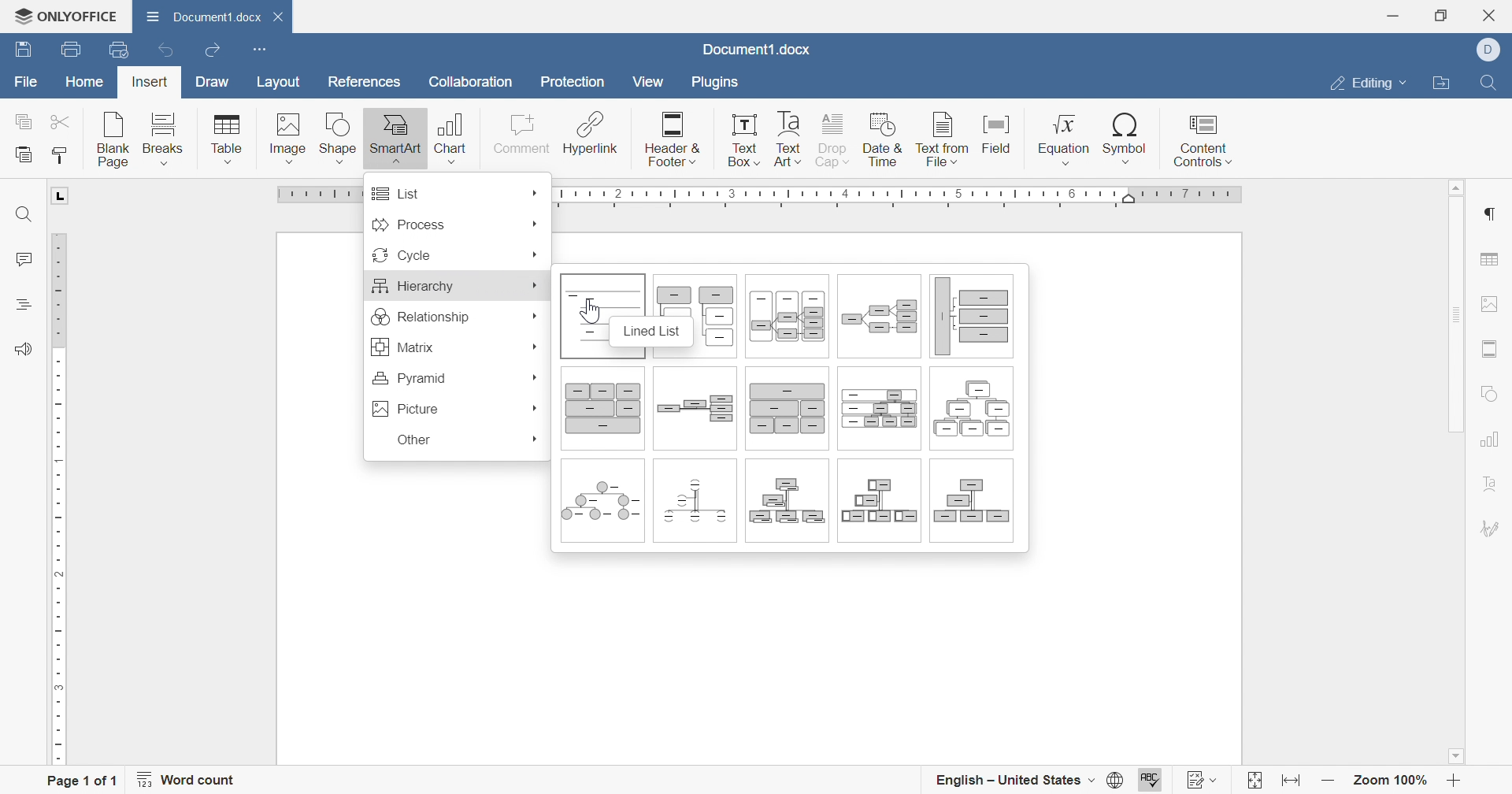  I want to click on Minimize, so click(1393, 17).